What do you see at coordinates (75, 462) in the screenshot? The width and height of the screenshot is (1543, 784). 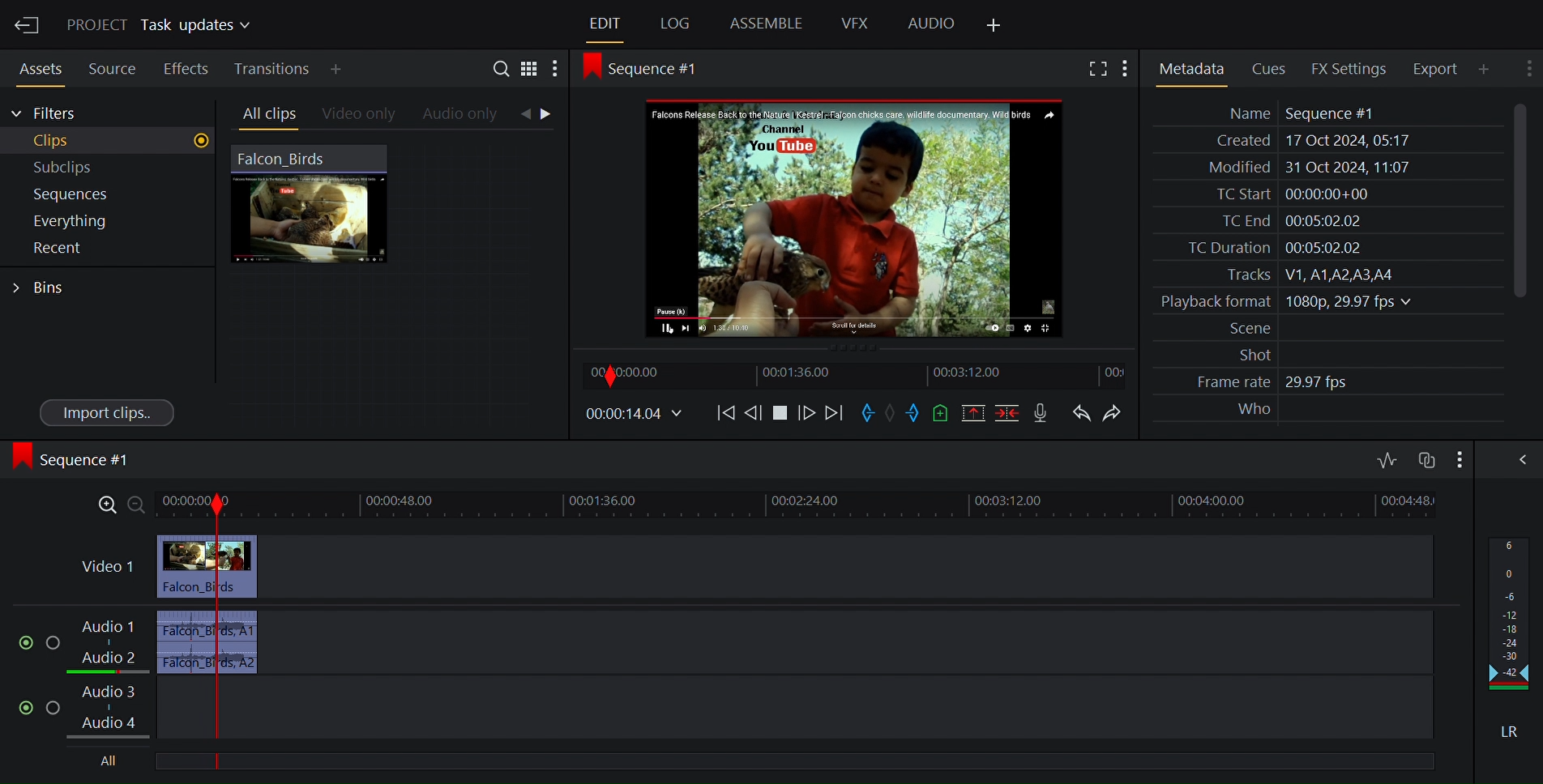 I see `Sequence #1` at bounding box center [75, 462].